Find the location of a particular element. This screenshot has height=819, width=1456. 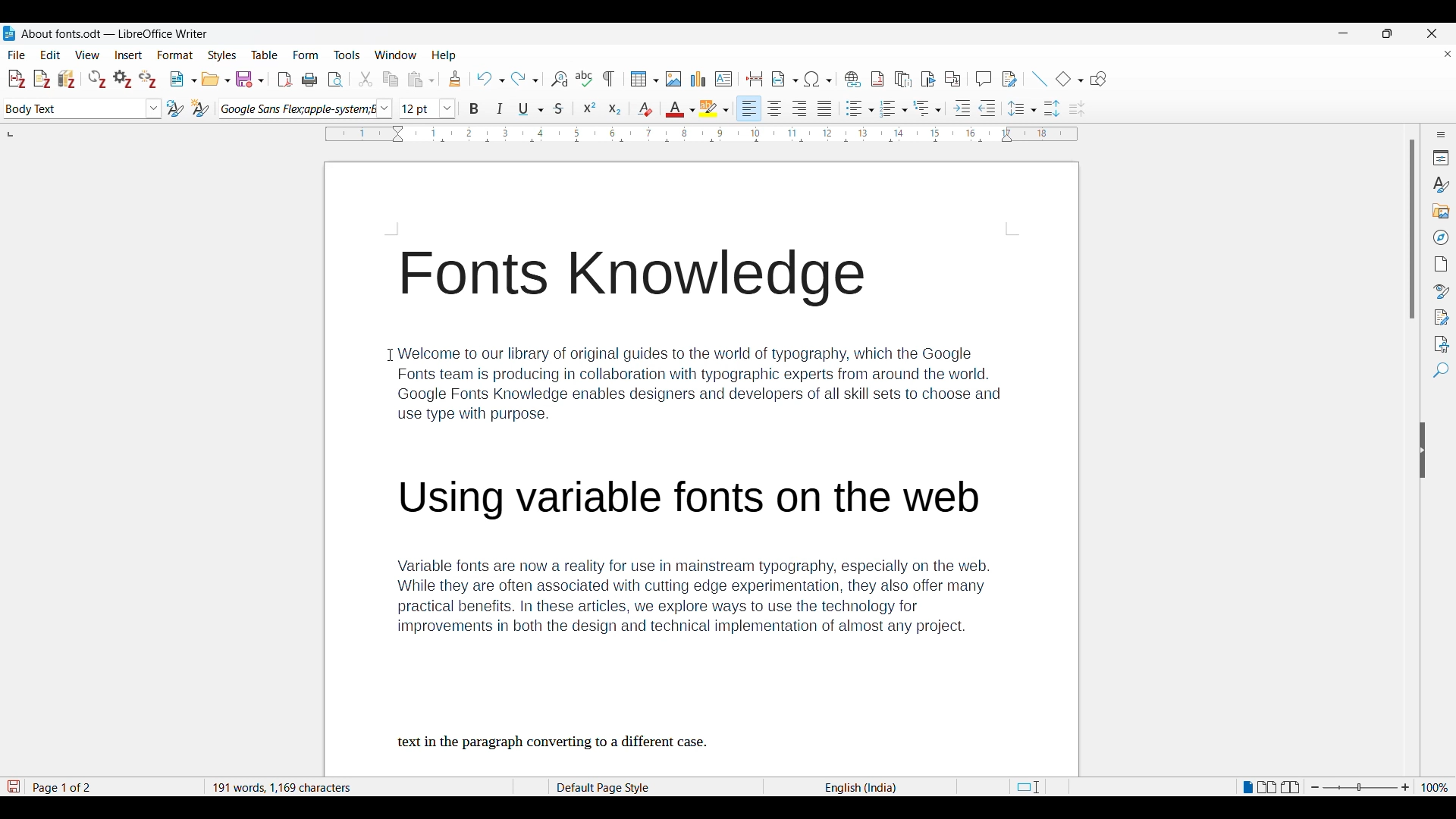

Show track changes functions is located at coordinates (1009, 79).